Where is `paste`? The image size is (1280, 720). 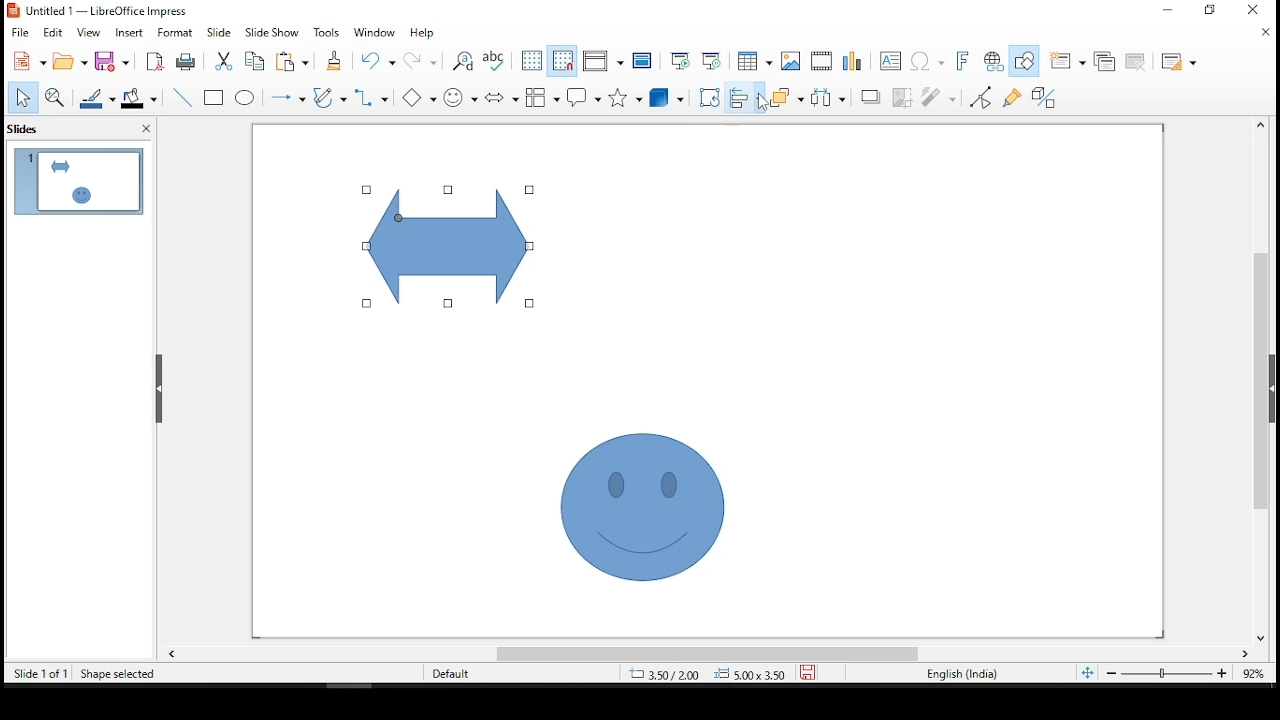
paste is located at coordinates (298, 63).